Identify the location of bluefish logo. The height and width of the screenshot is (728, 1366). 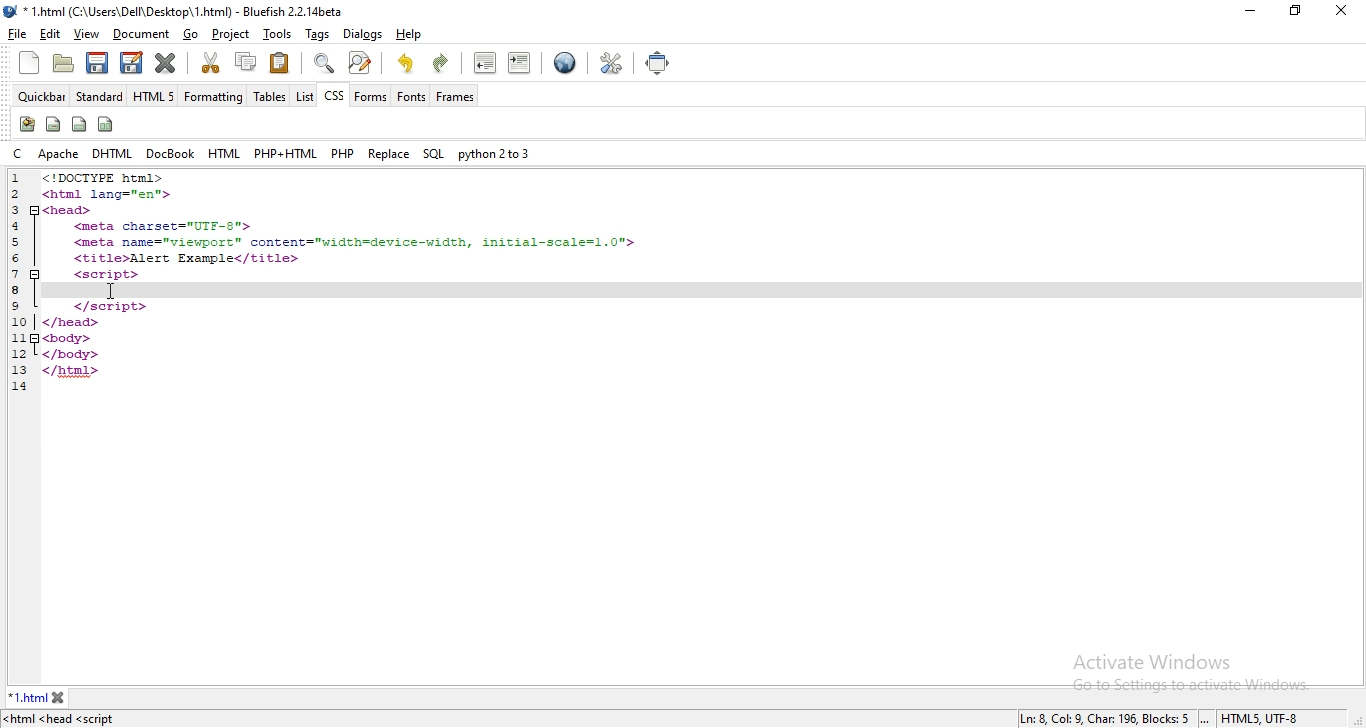
(11, 12).